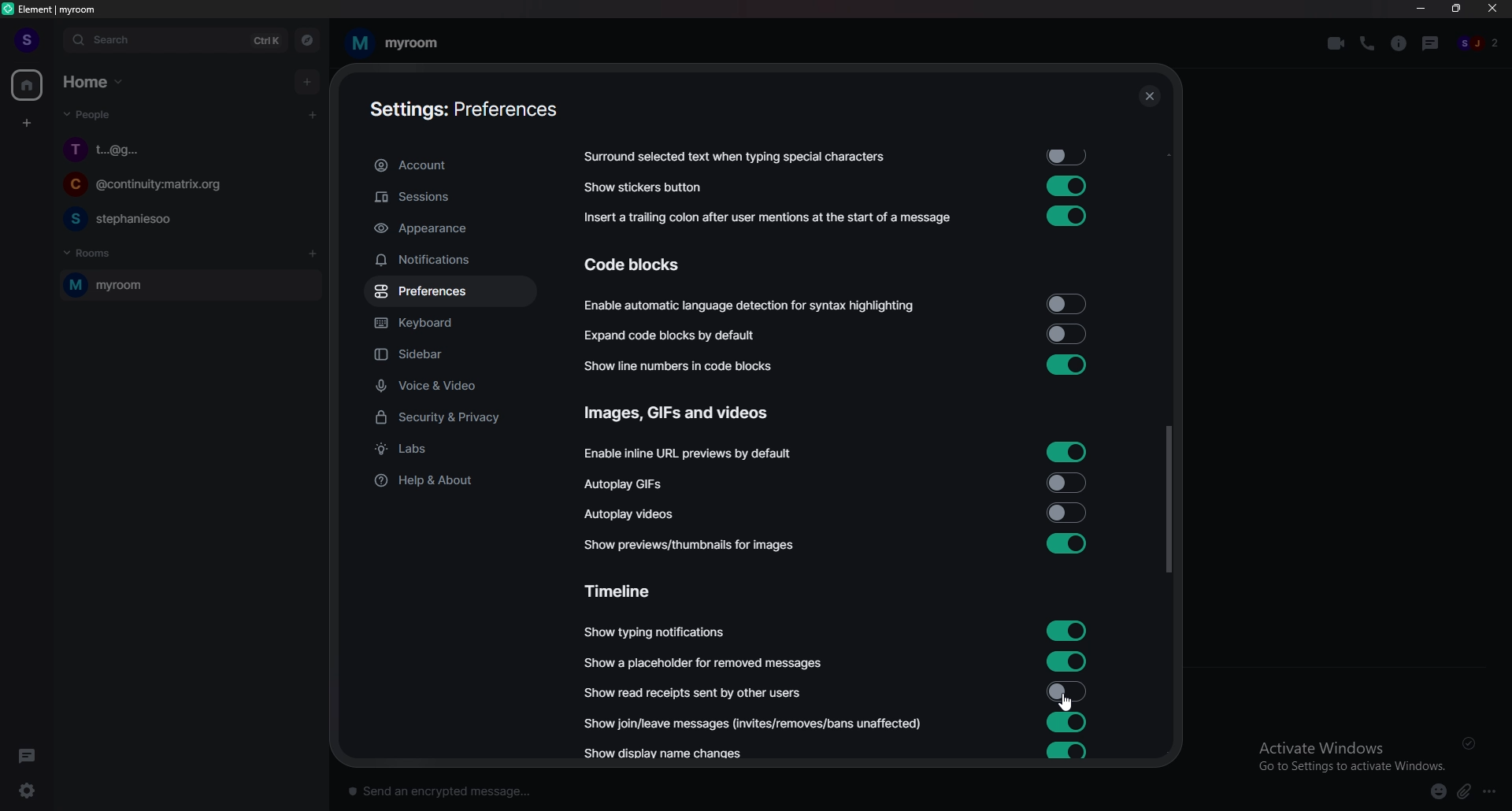 This screenshot has width=1512, height=811. I want to click on show join/leave messages, so click(757, 722).